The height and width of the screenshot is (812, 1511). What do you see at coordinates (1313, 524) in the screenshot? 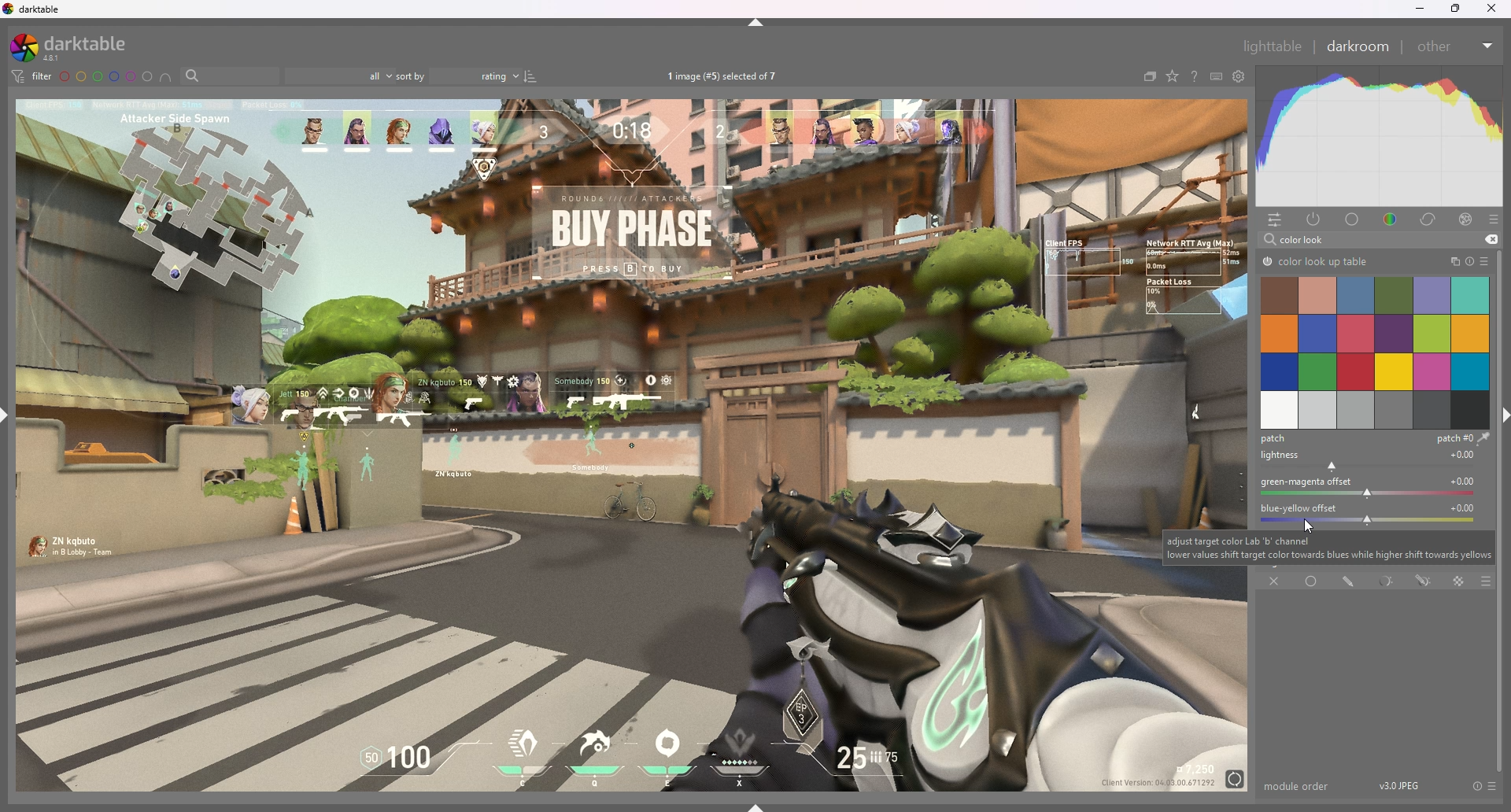
I see `cursor` at bounding box center [1313, 524].